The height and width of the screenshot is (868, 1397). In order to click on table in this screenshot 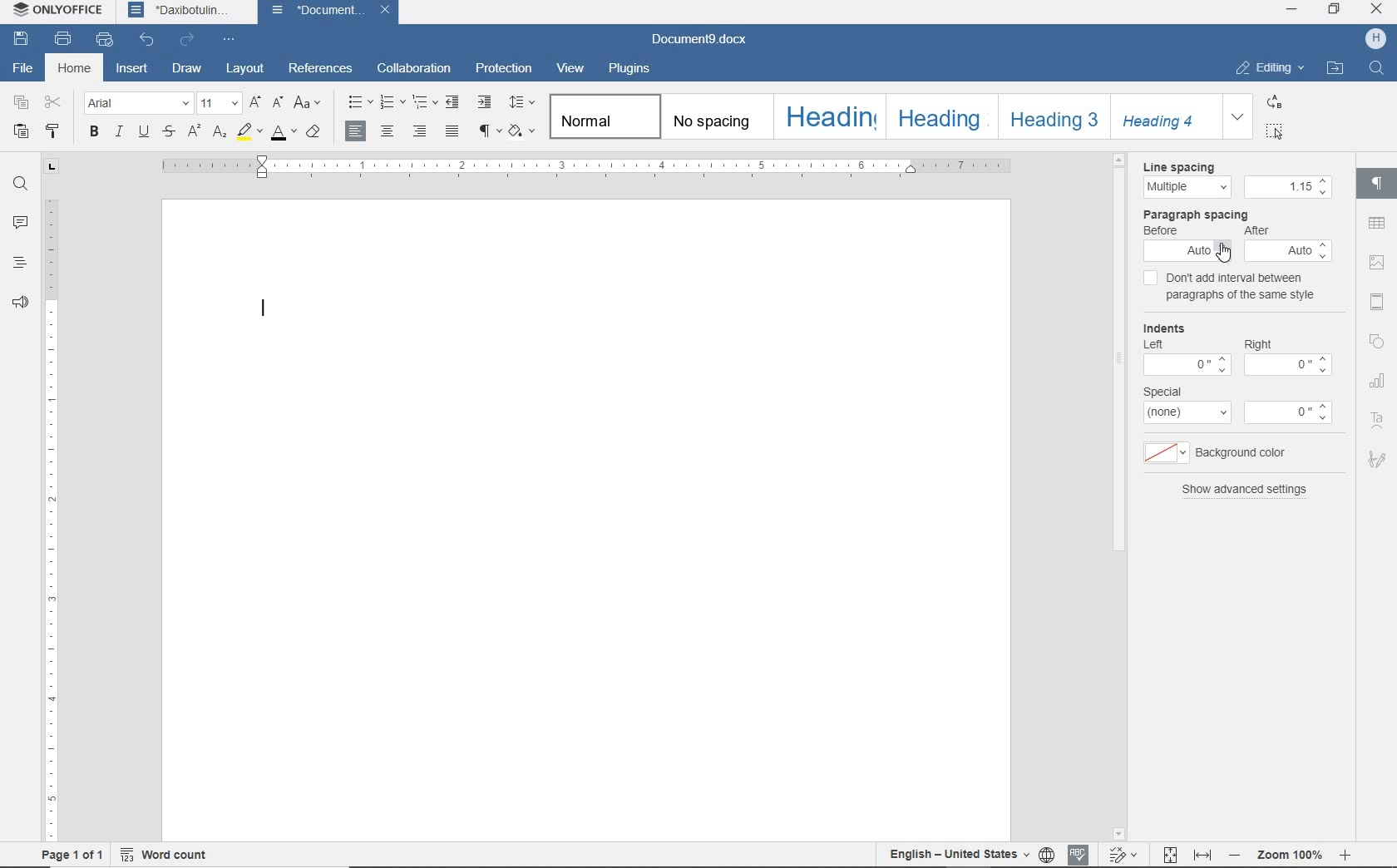, I will do `click(1378, 224)`.